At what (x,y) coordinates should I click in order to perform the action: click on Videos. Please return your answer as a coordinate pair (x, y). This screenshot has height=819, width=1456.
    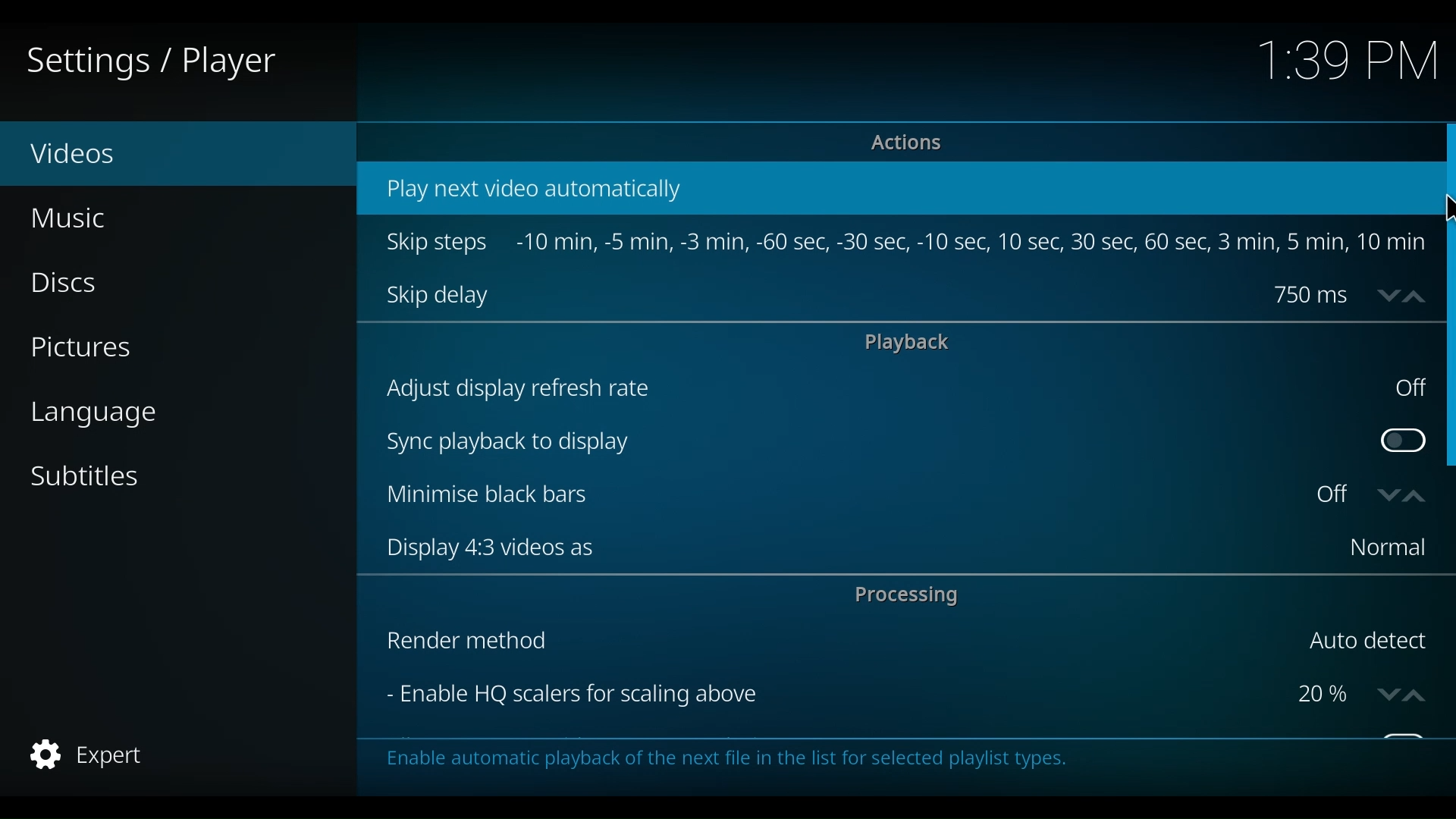
    Looking at the image, I should click on (106, 155).